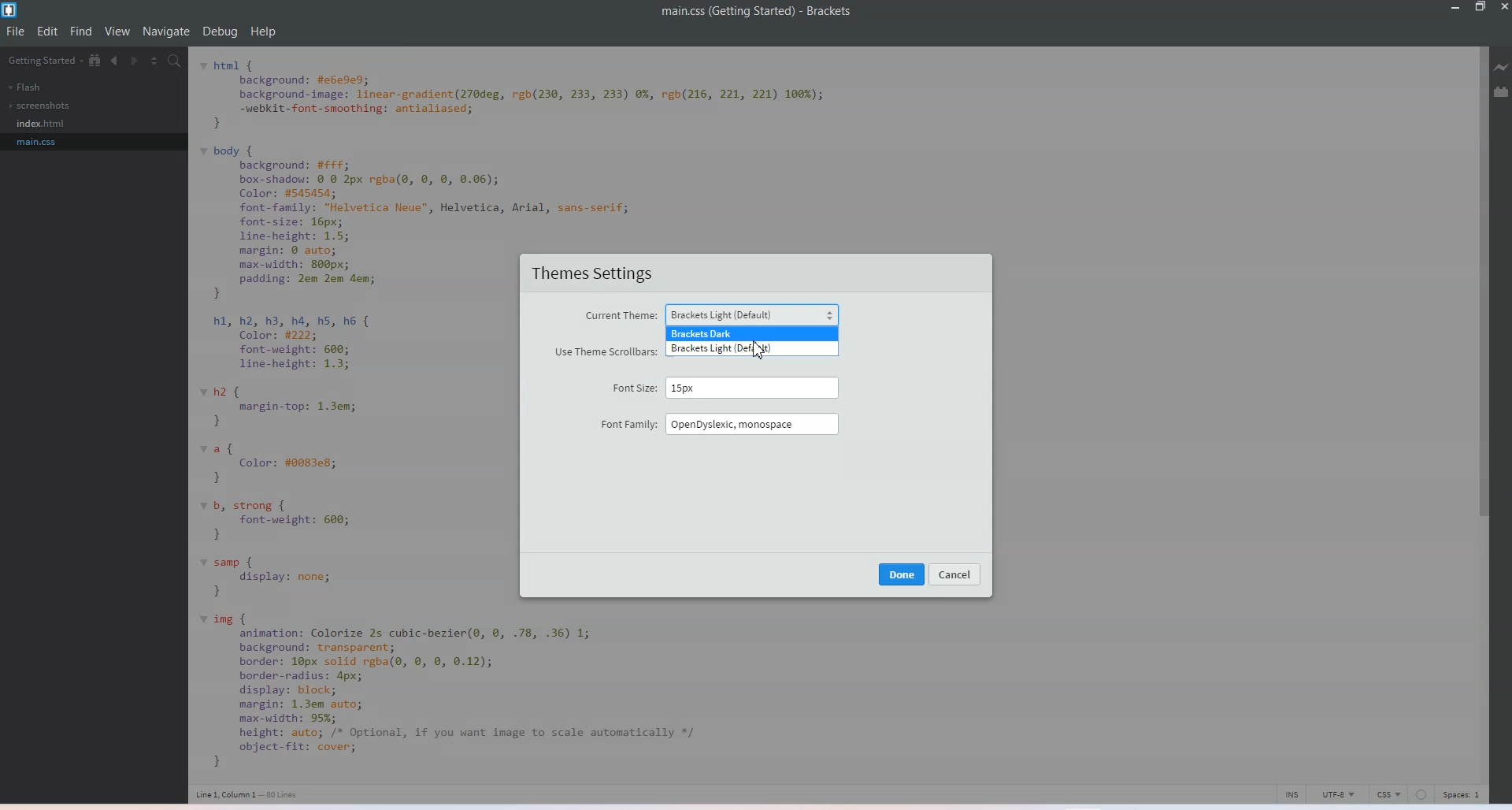  What do you see at coordinates (117, 31) in the screenshot?
I see `View` at bounding box center [117, 31].